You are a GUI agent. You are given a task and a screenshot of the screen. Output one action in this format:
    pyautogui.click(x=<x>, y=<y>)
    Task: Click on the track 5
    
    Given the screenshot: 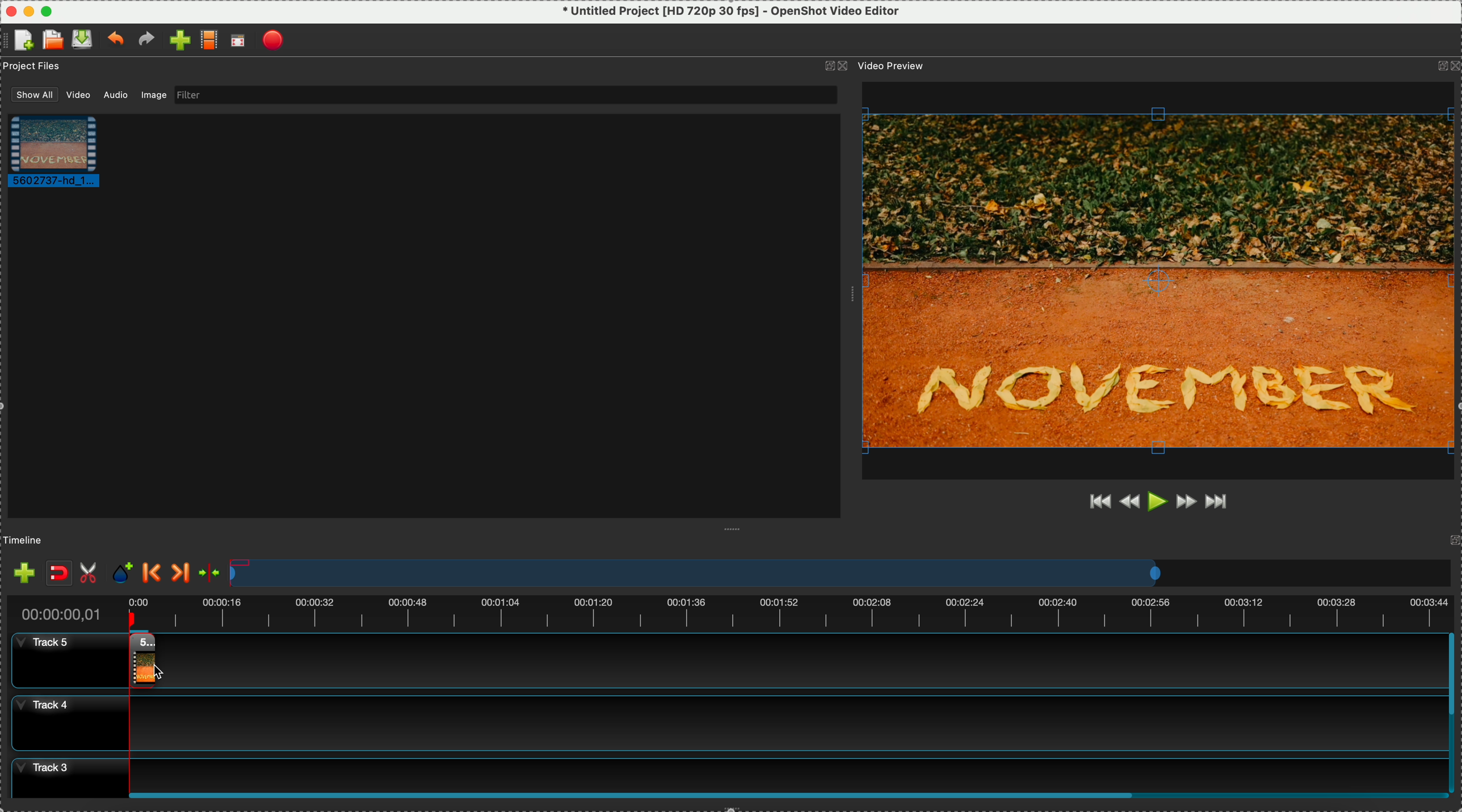 What is the action you would take?
    pyautogui.click(x=725, y=660)
    